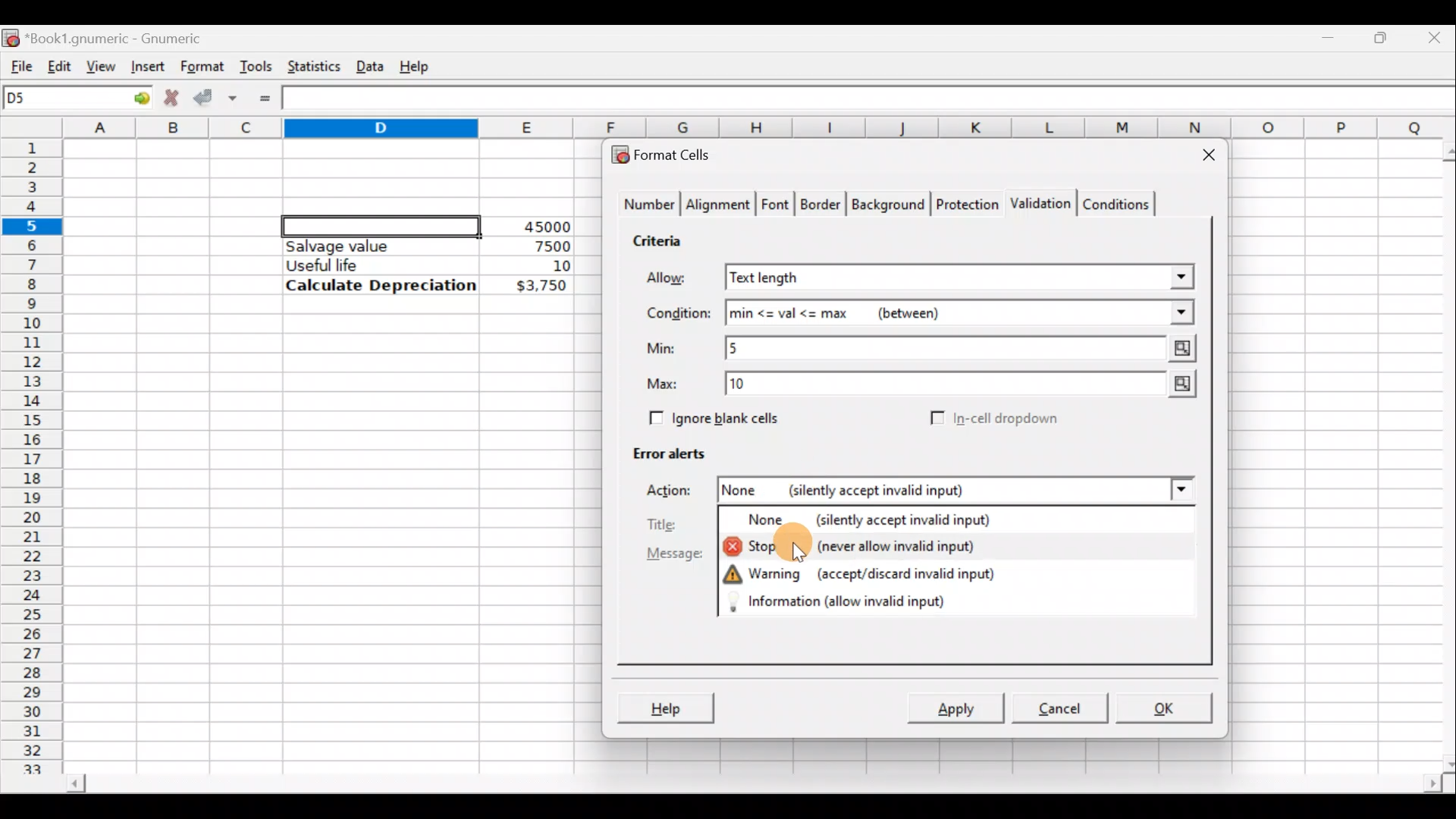 The image size is (1456, 819). Describe the element at coordinates (543, 266) in the screenshot. I see `10` at that location.